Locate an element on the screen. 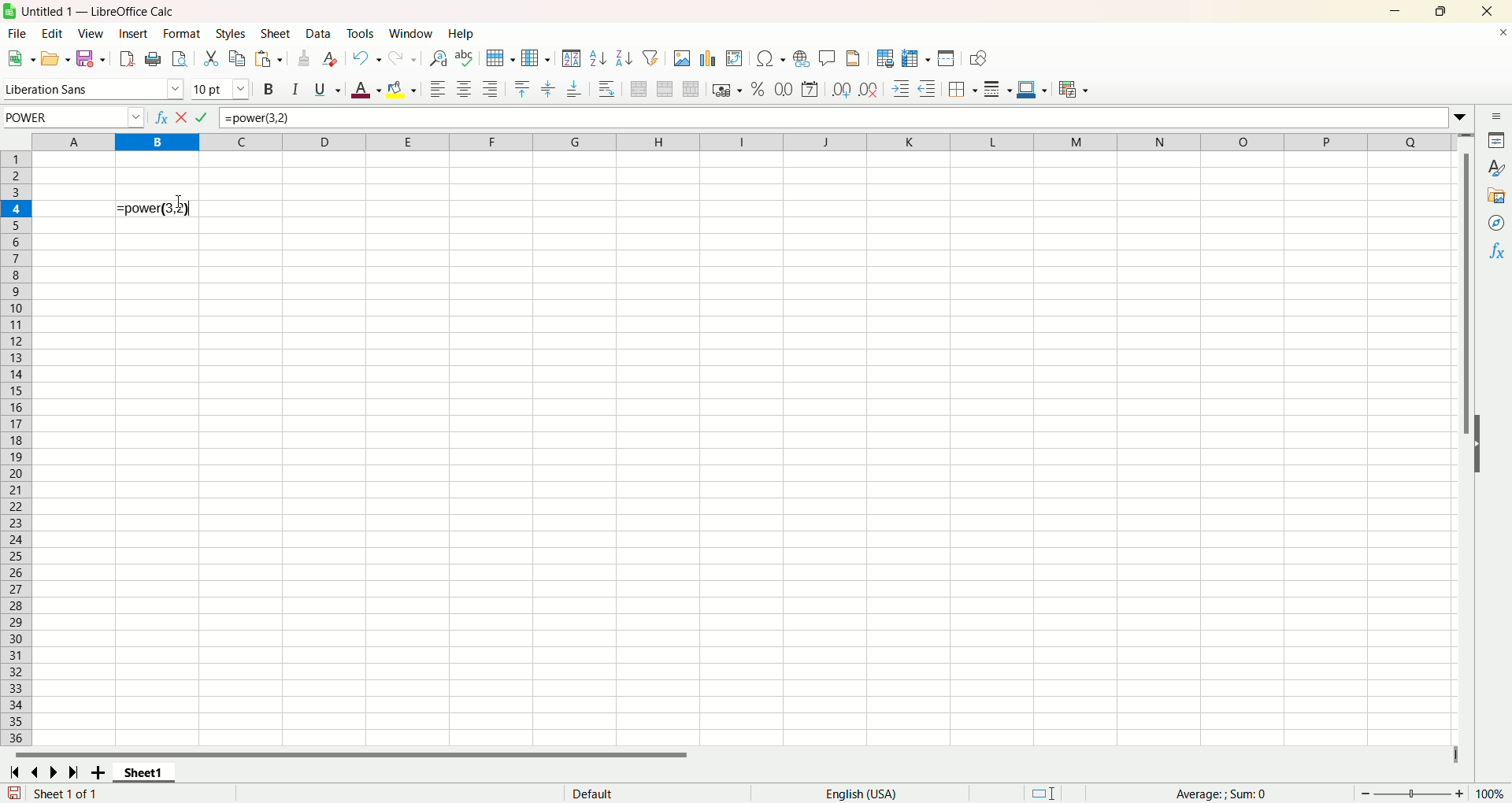  Selection mode is located at coordinates (1057, 791).